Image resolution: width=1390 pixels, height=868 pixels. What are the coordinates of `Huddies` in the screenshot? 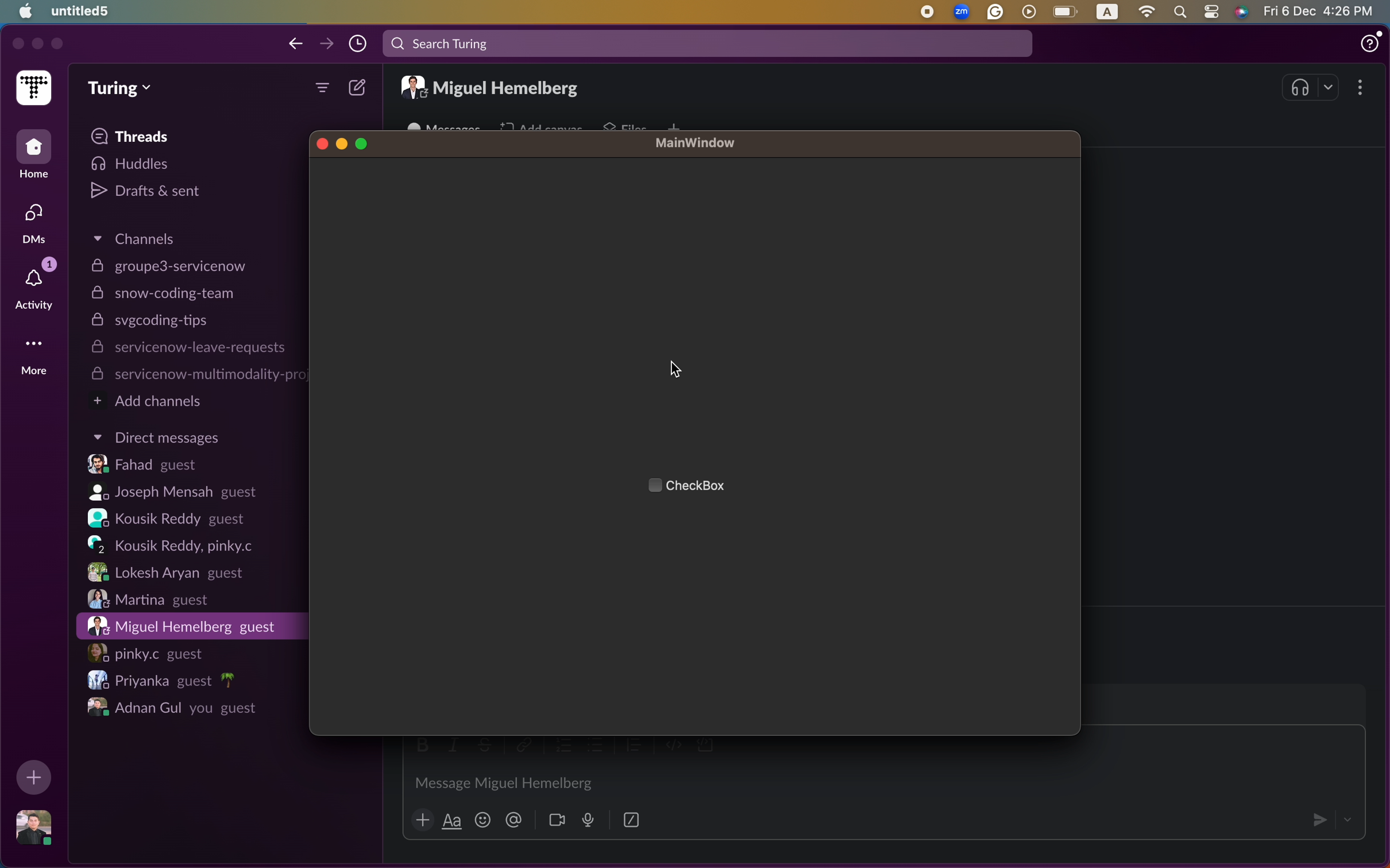 It's located at (147, 165).